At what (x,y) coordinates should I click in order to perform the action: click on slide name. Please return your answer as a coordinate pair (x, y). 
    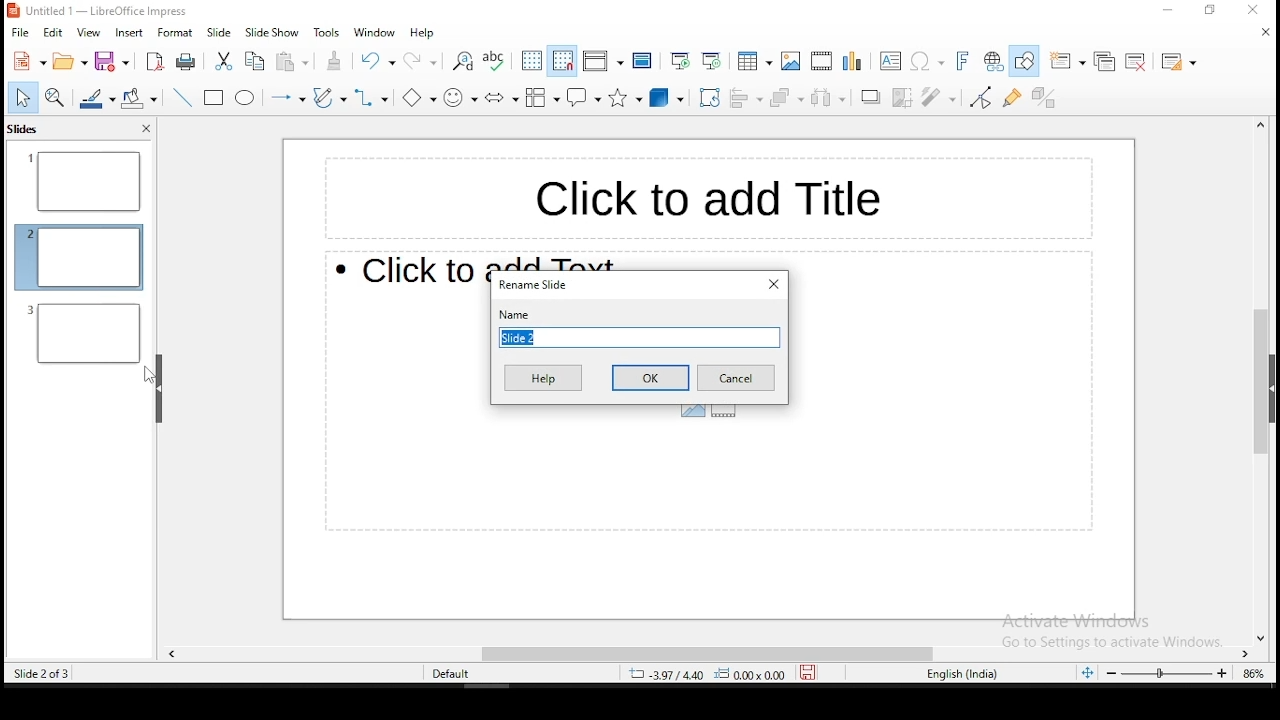
    Looking at the image, I should click on (640, 335).